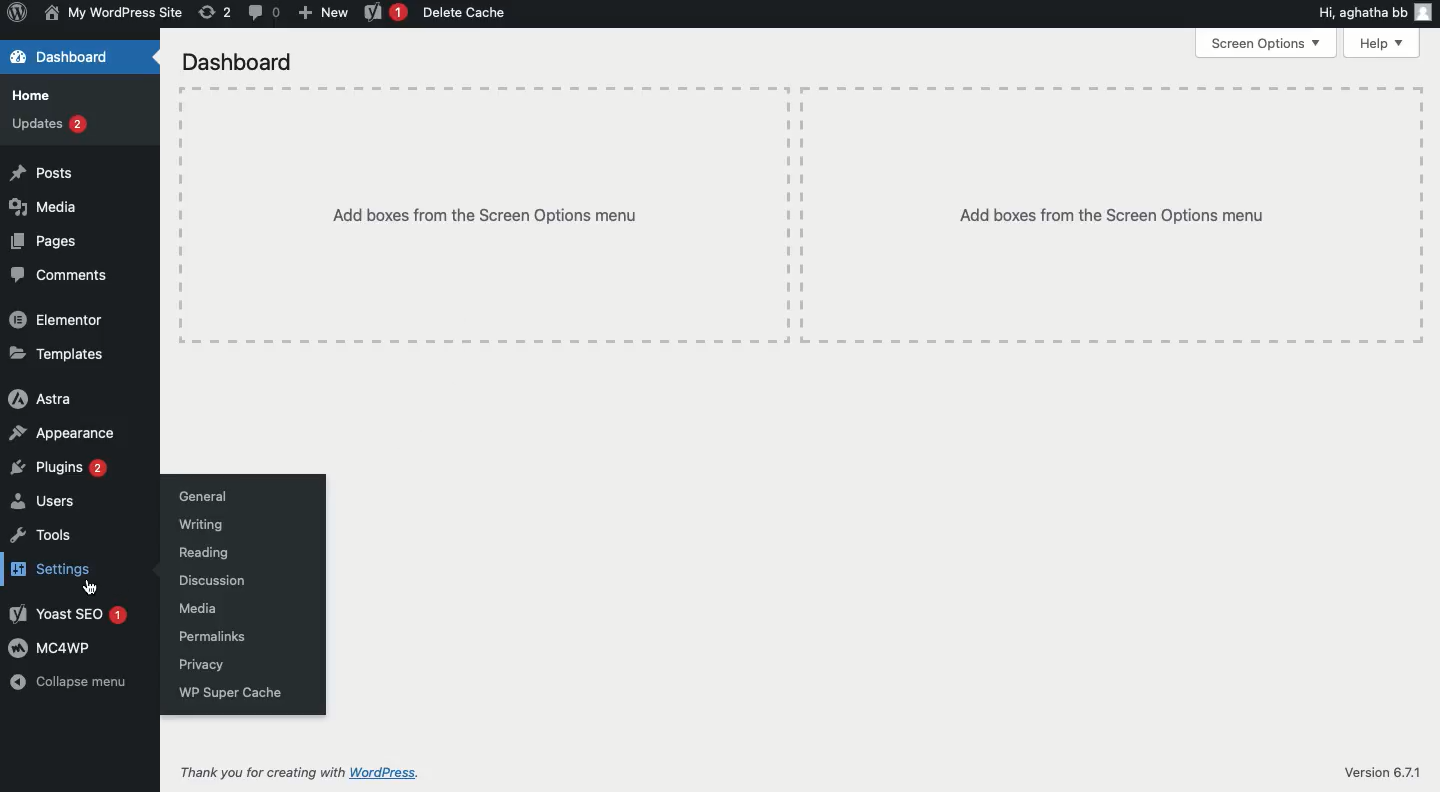  Describe the element at coordinates (230, 693) in the screenshot. I see `WP super cache` at that location.